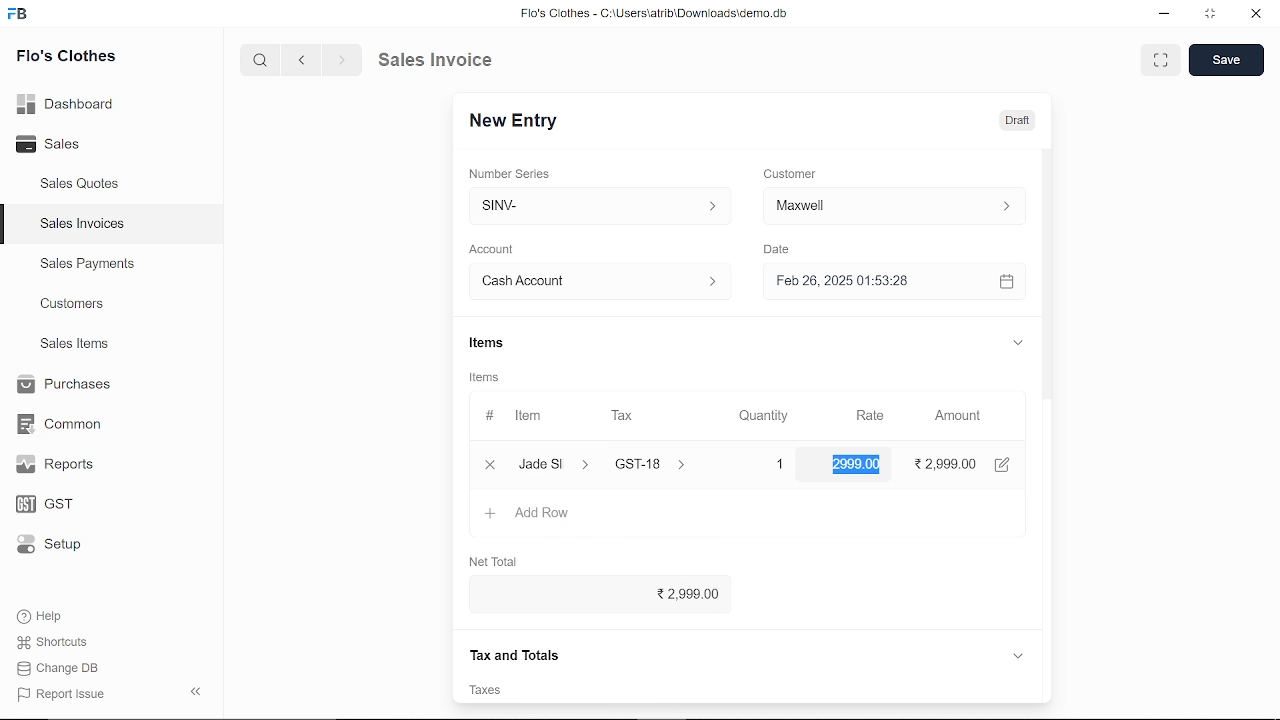 Image resolution: width=1280 pixels, height=720 pixels. Describe the element at coordinates (1254, 15) in the screenshot. I see `close` at that location.